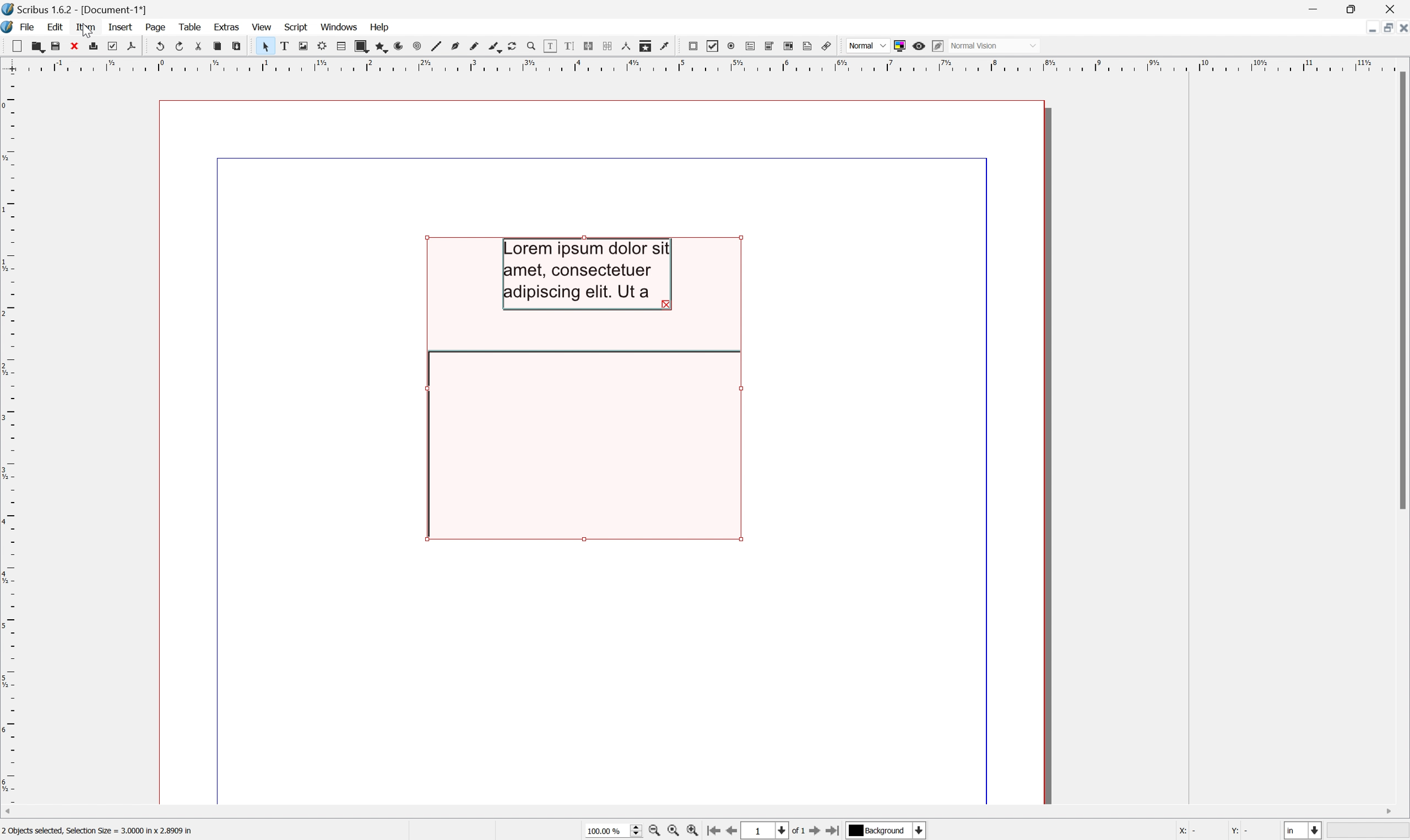 The width and height of the screenshot is (1410, 840). What do you see at coordinates (1401, 27) in the screenshot?
I see `Close` at bounding box center [1401, 27].